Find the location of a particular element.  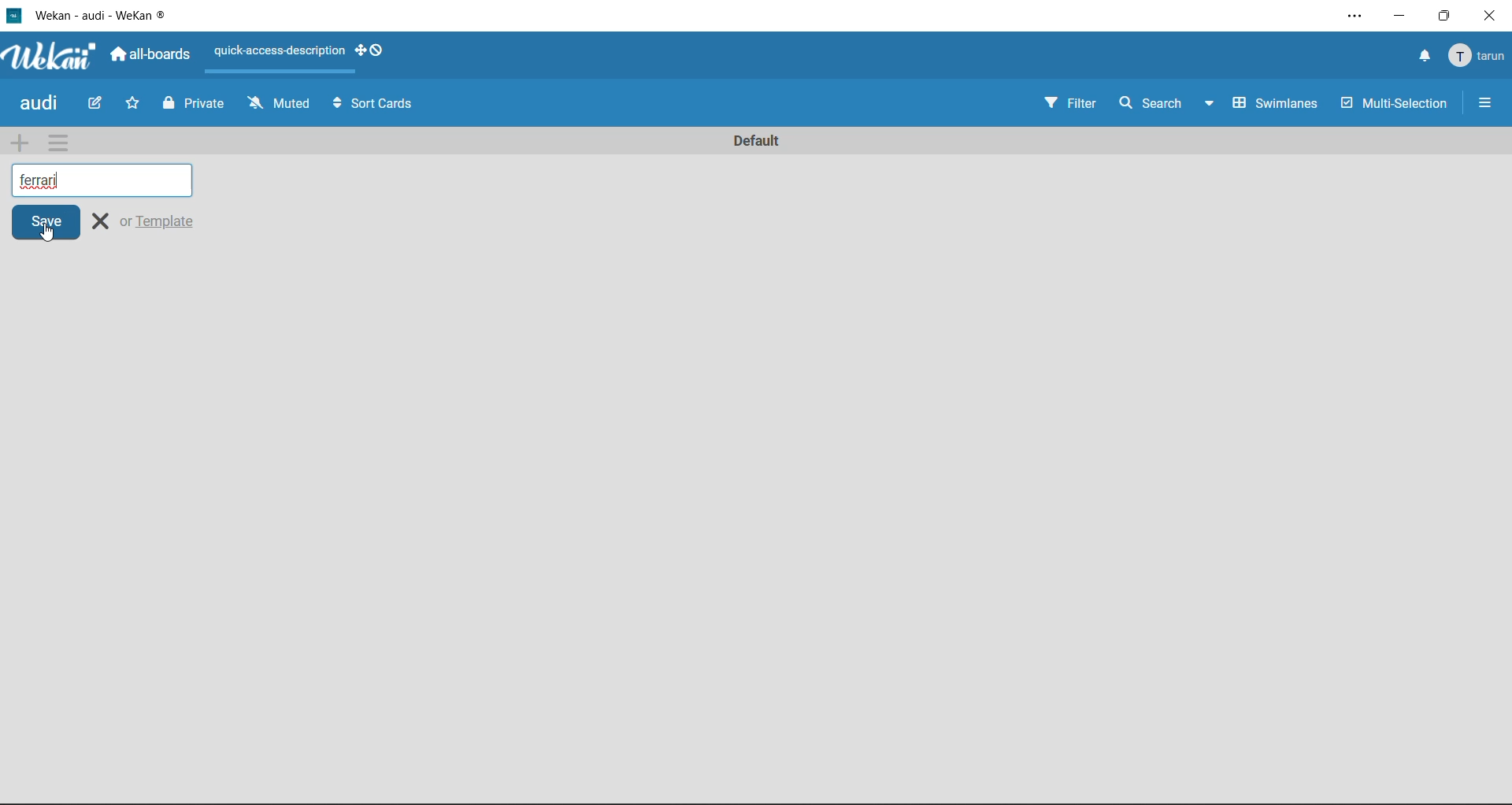

quick-access-description is located at coordinates (279, 52).